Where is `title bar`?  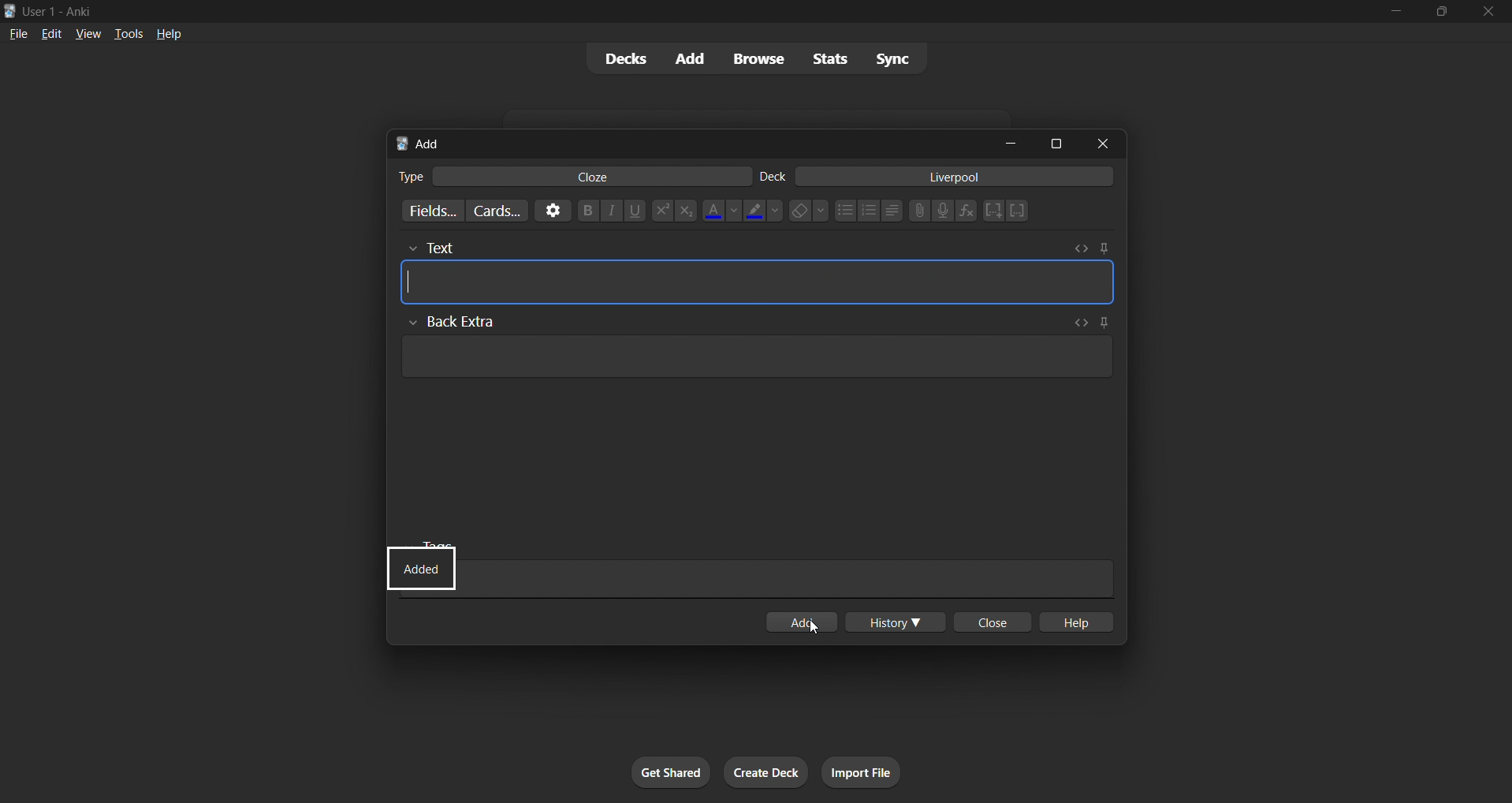 title bar is located at coordinates (635, 12).